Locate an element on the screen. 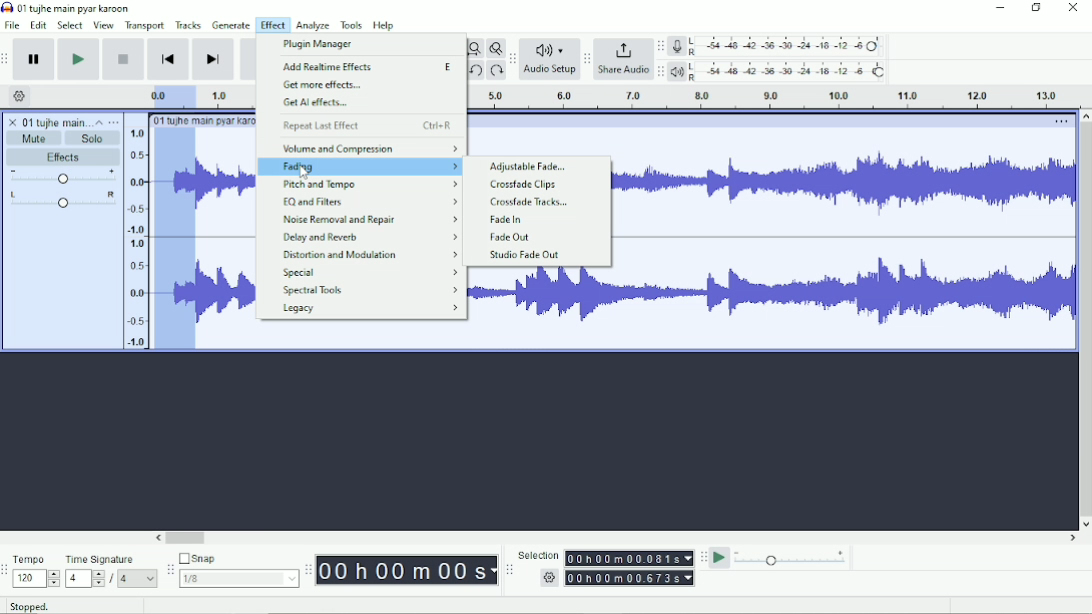  Already Played is located at coordinates (169, 96).